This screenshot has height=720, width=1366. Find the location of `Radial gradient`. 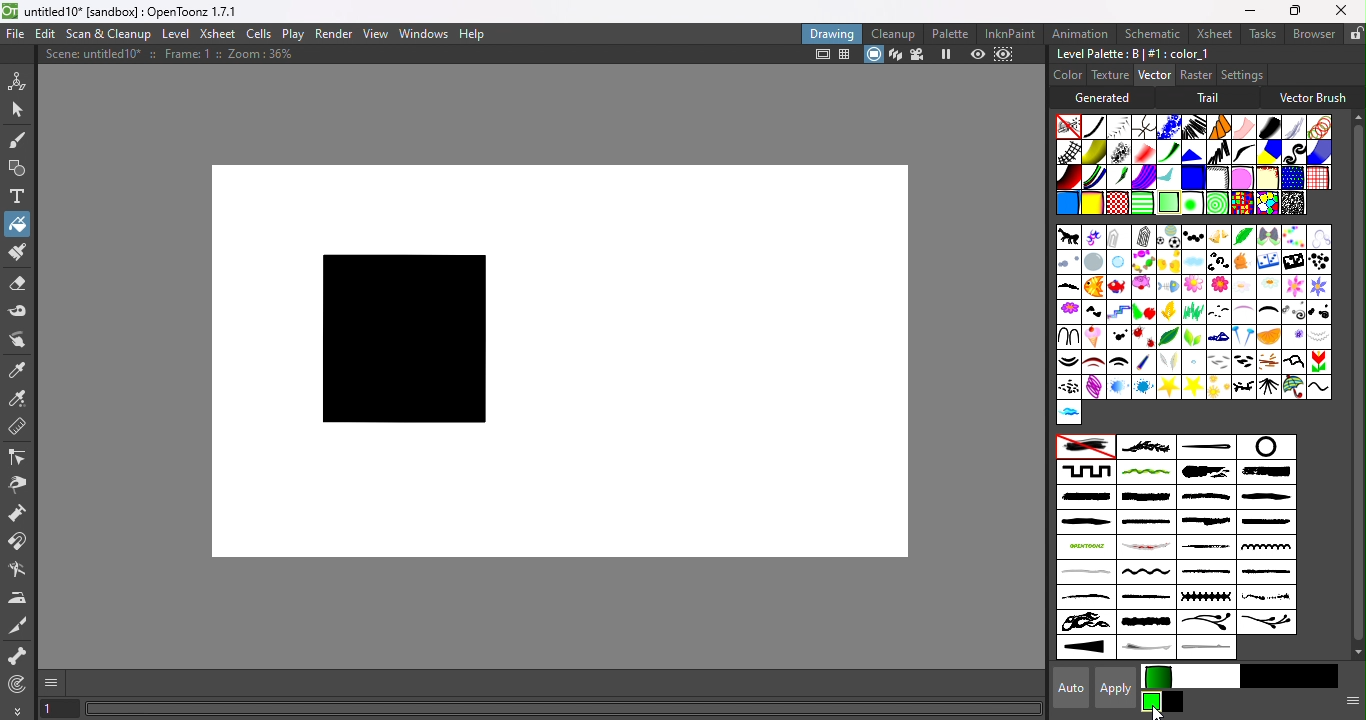

Radial gradient is located at coordinates (1190, 203).